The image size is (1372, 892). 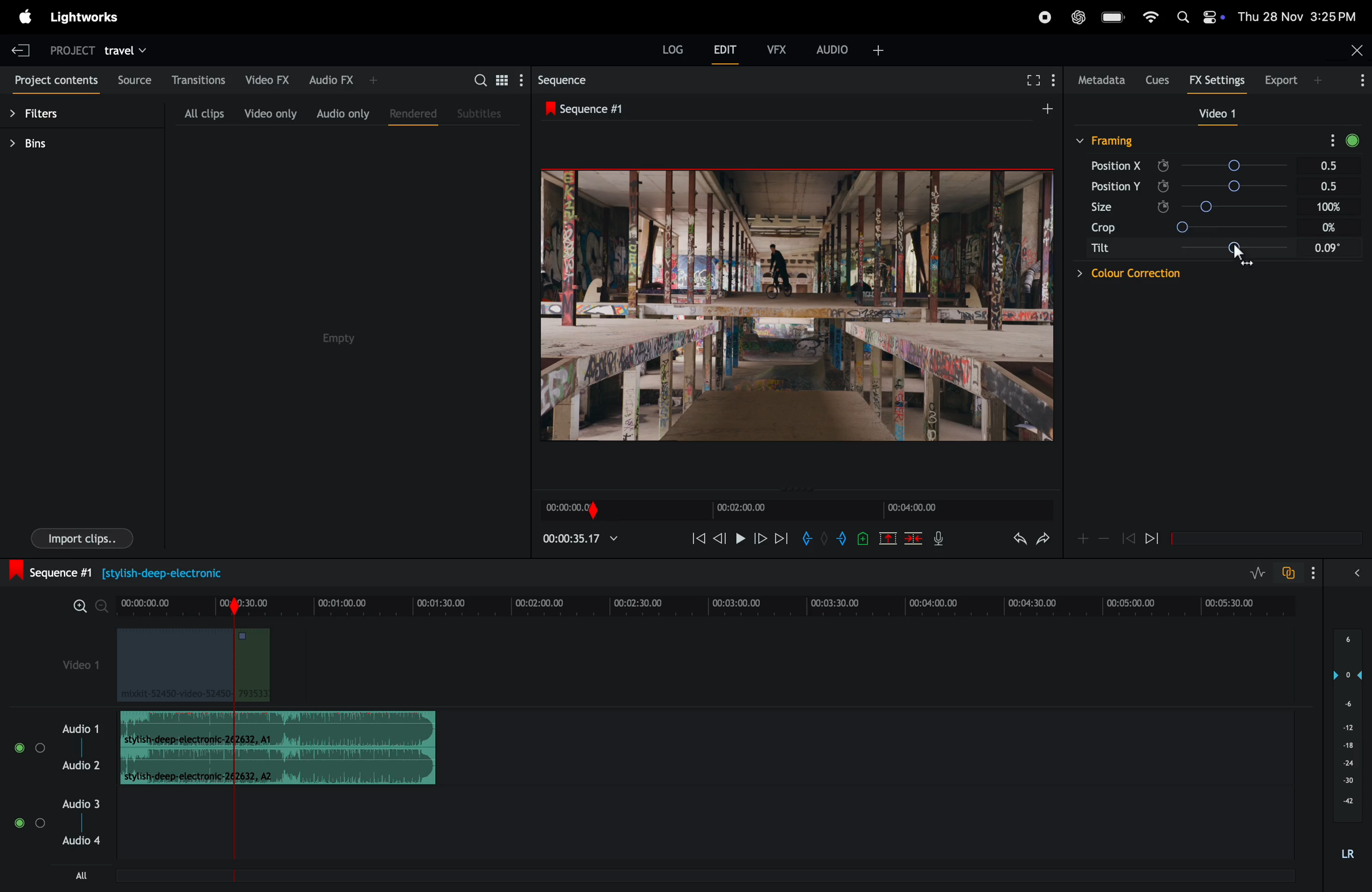 I want to click on toggle bypass, so click(x=1352, y=138).